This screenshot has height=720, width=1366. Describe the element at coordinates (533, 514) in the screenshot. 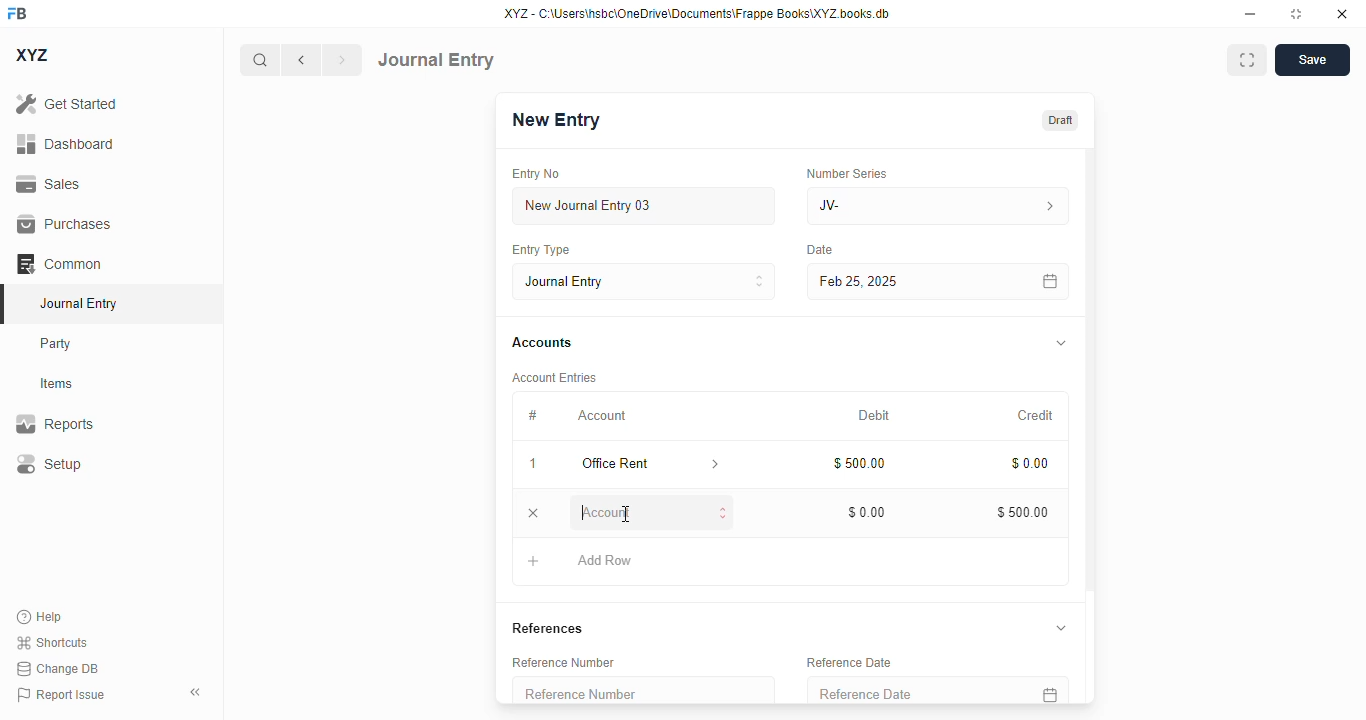

I see `remove` at that location.